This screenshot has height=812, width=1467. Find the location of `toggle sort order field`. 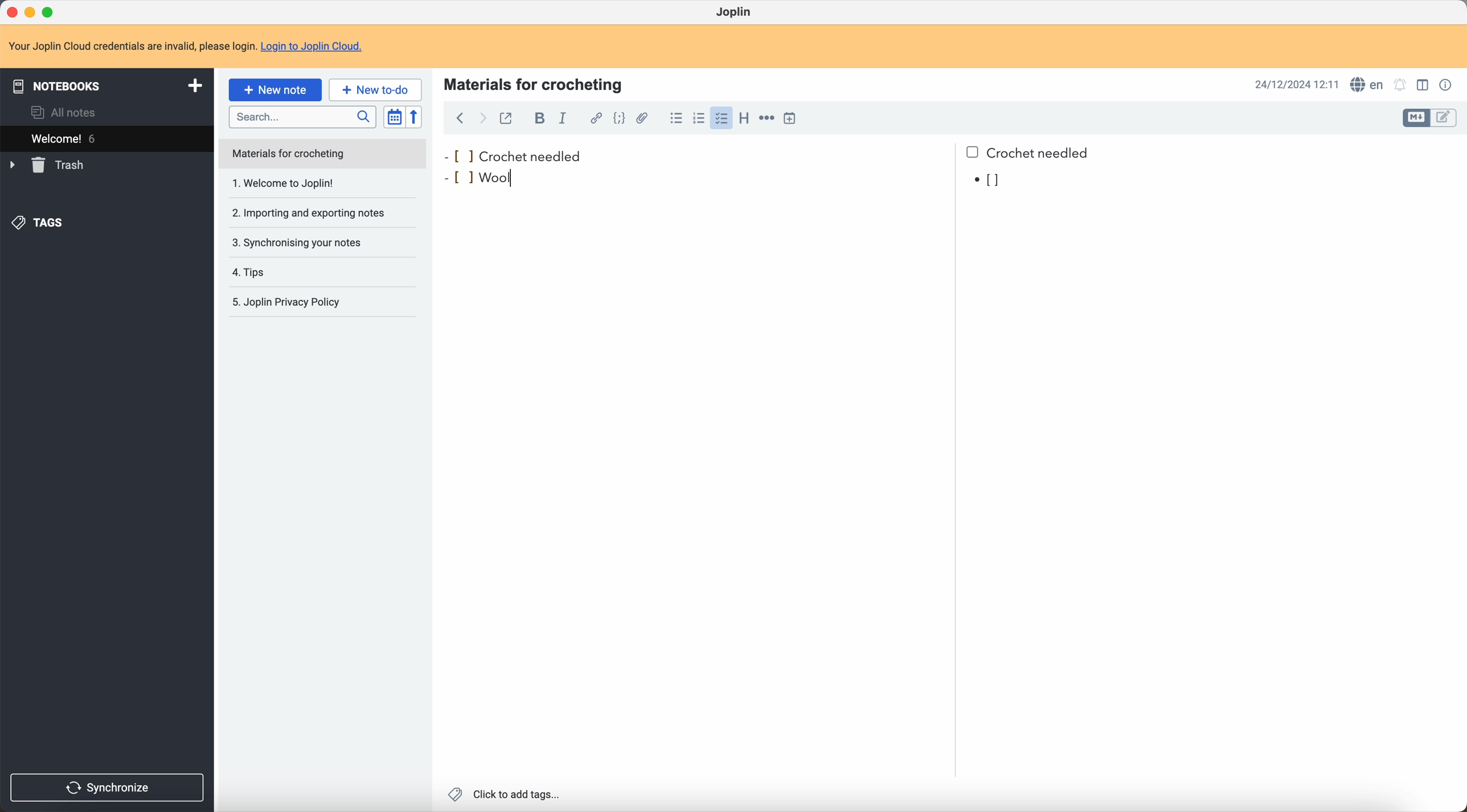

toggle sort order field is located at coordinates (394, 117).